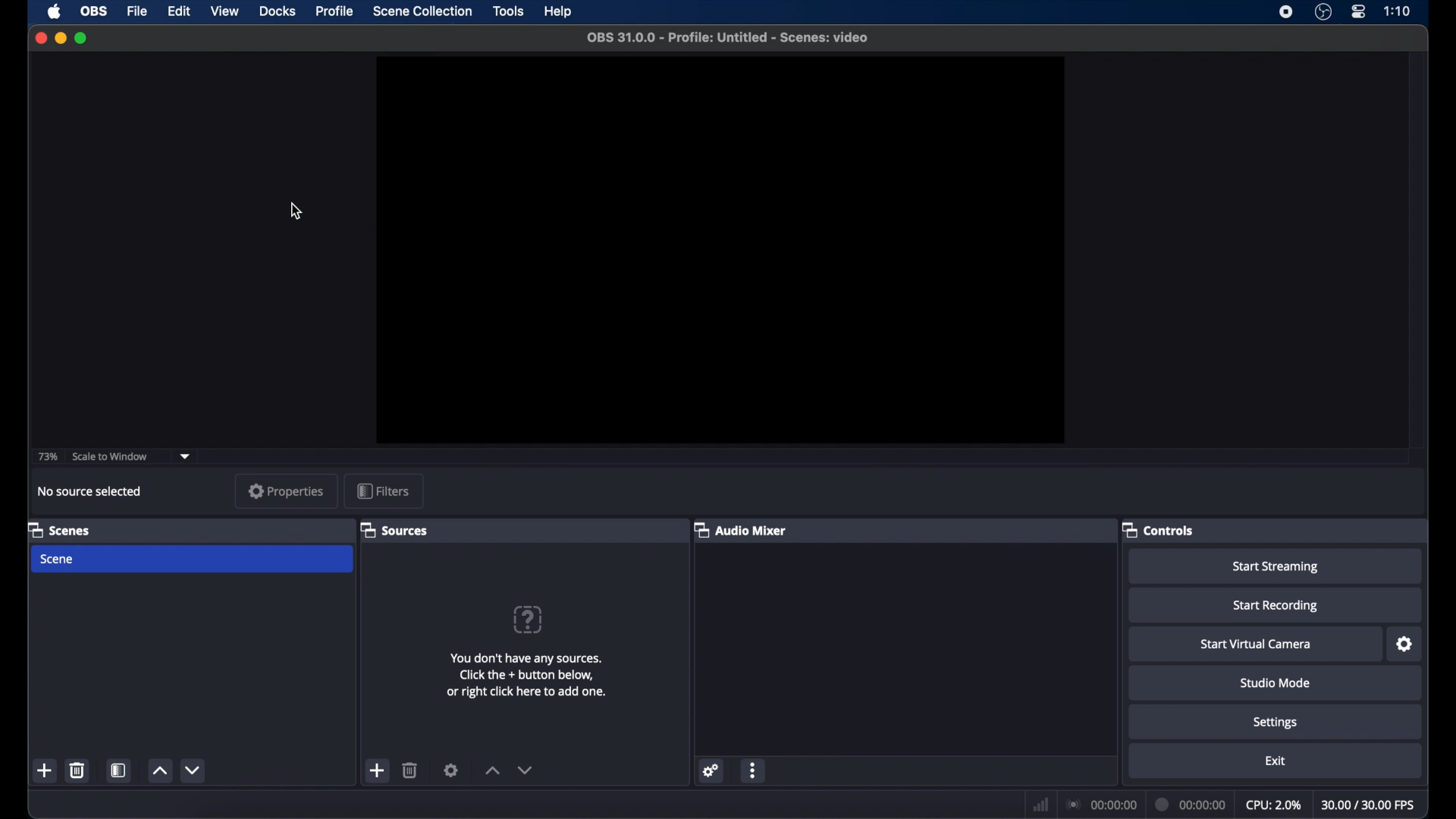 Image resolution: width=1456 pixels, height=819 pixels. What do you see at coordinates (1101, 804) in the screenshot?
I see `connection` at bounding box center [1101, 804].